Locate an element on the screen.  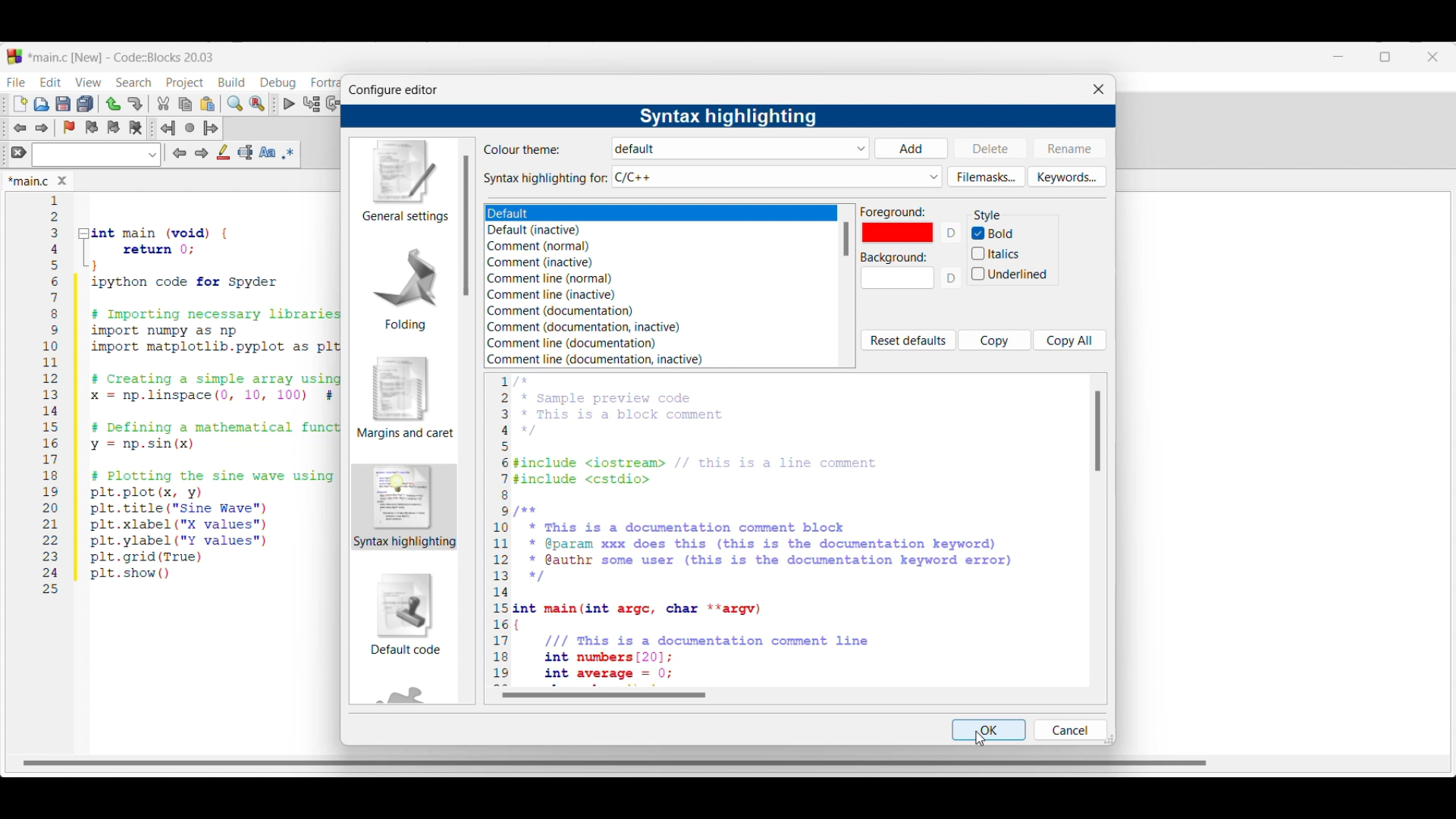
Cut is located at coordinates (164, 103).